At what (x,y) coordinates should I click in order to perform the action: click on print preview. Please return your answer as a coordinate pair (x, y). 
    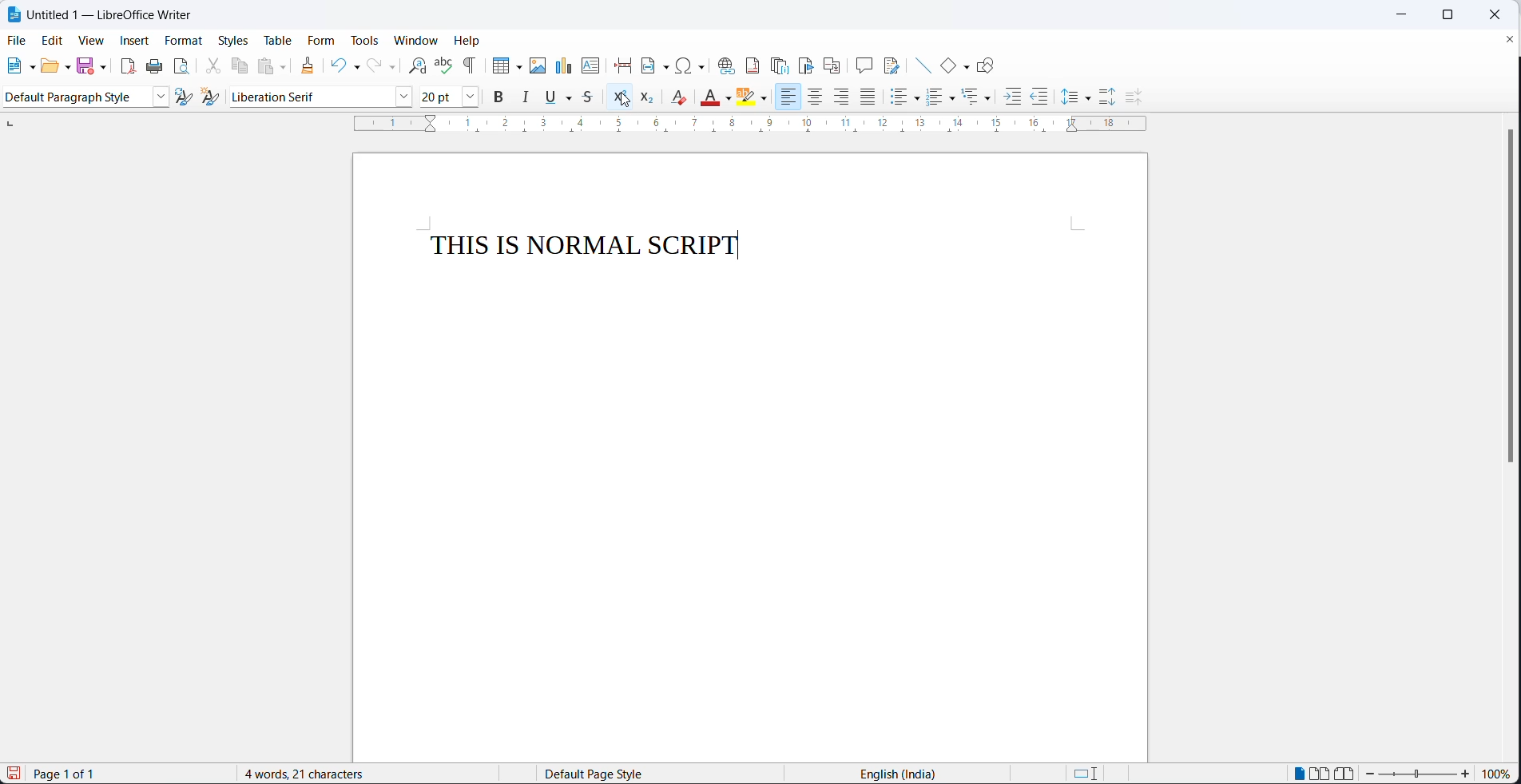
    Looking at the image, I should click on (183, 66).